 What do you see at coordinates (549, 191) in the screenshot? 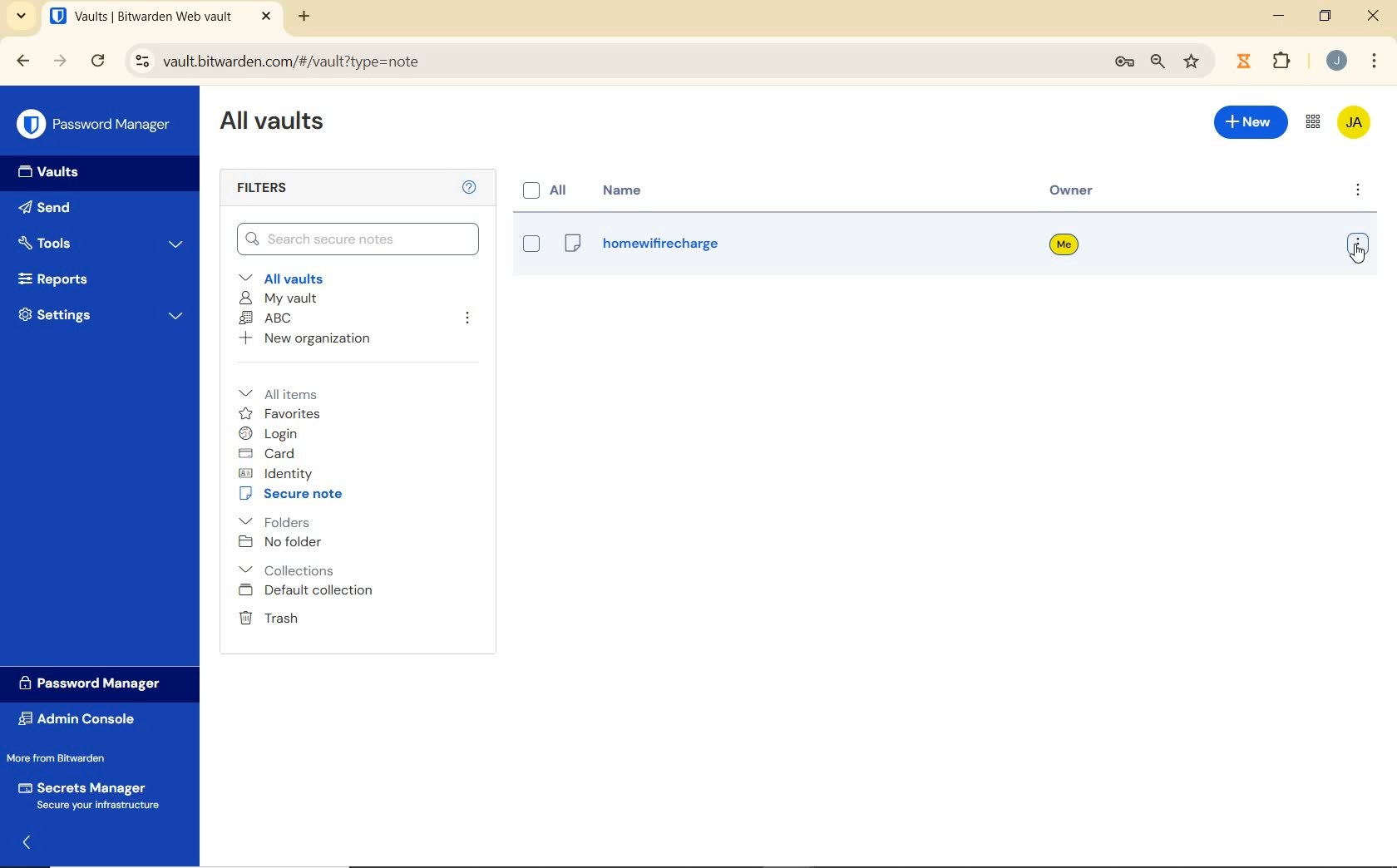
I see `all` at bounding box center [549, 191].